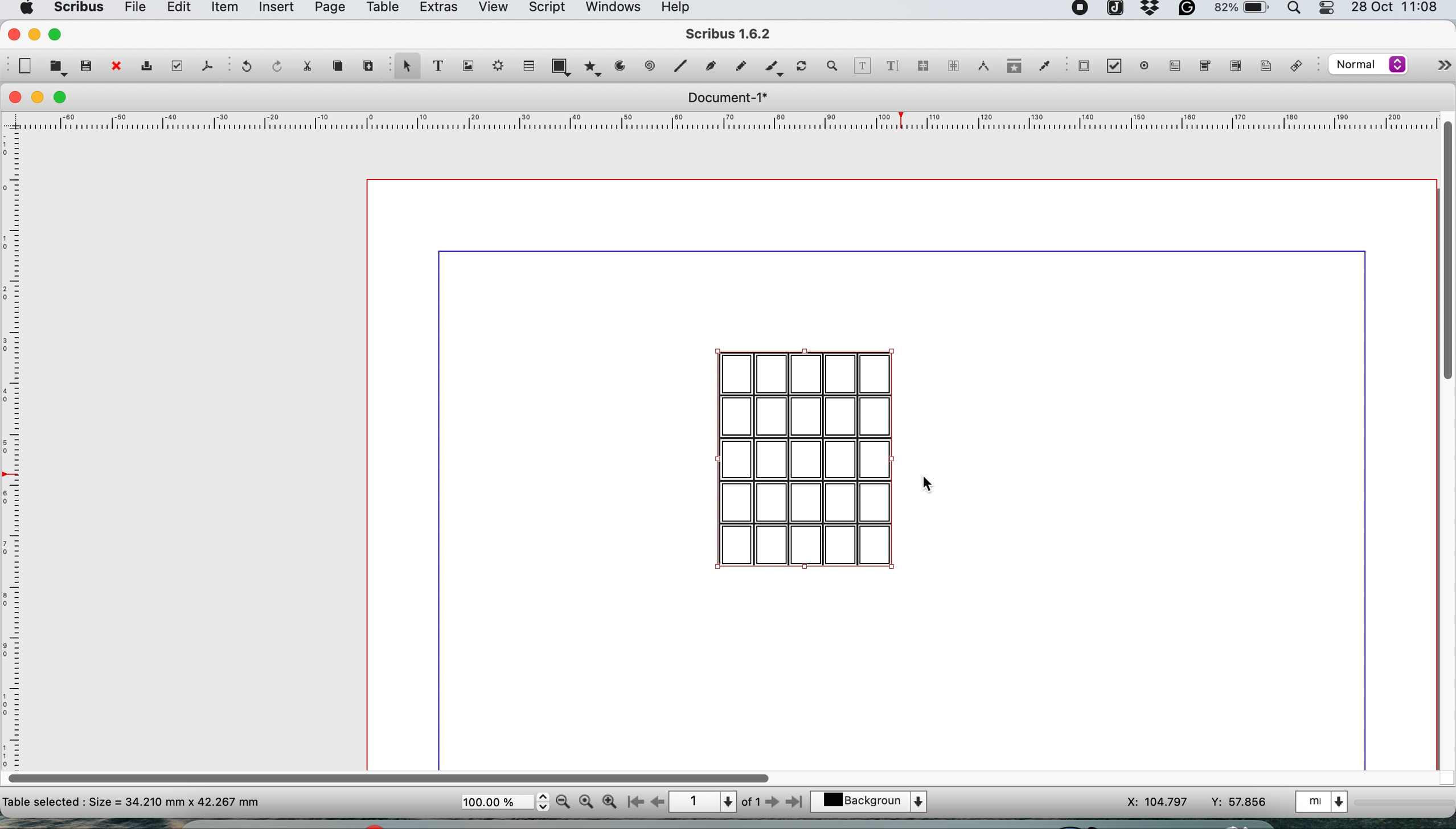 Image resolution: width=1456 pixels, height=829 pixels. What do you see at coordinates (1081, 10) in the screenshot?
I see `screen recorder` at bounding box center [1081, 10].